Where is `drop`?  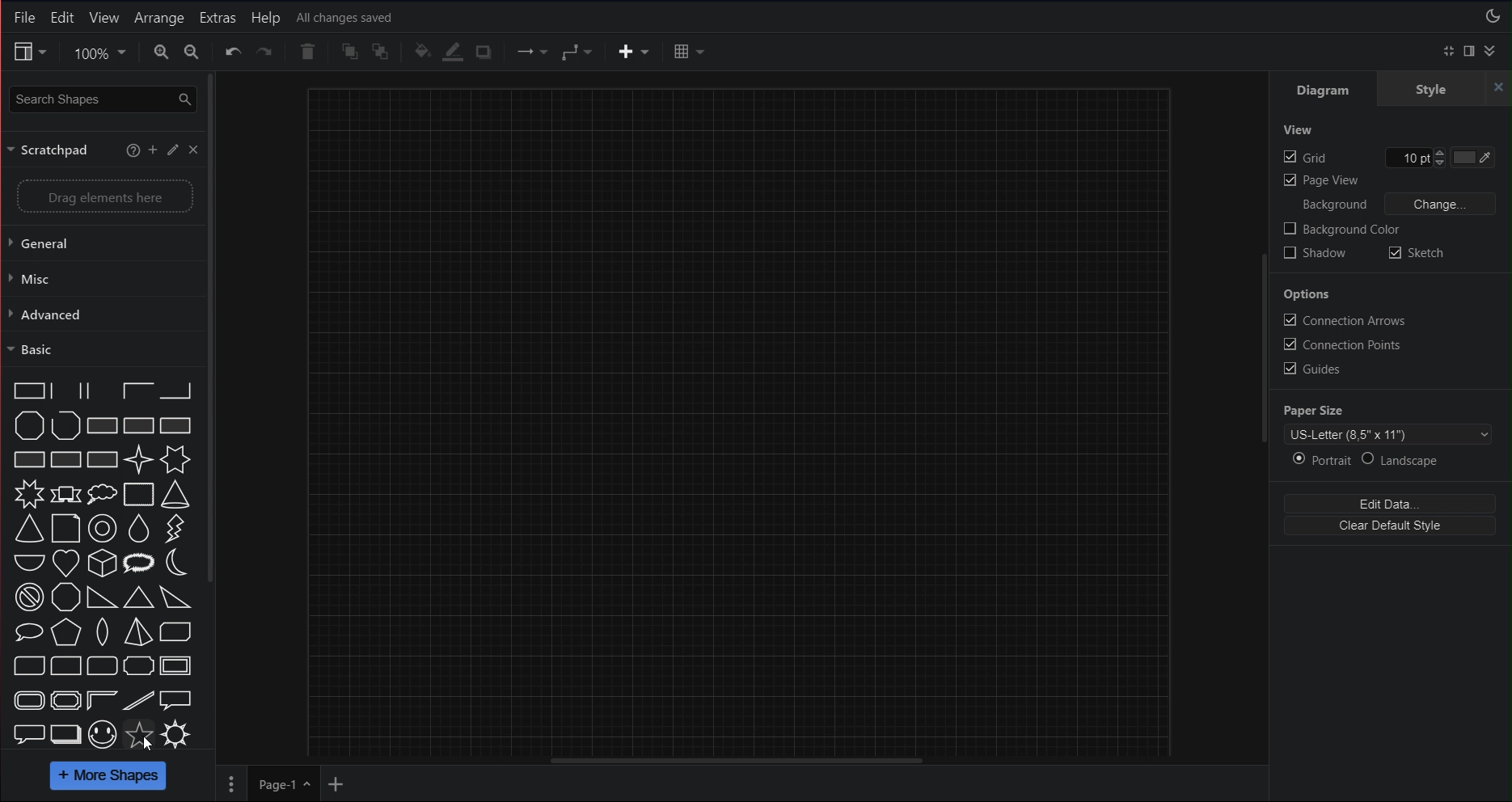 drop is located at coordinates (140, 529).